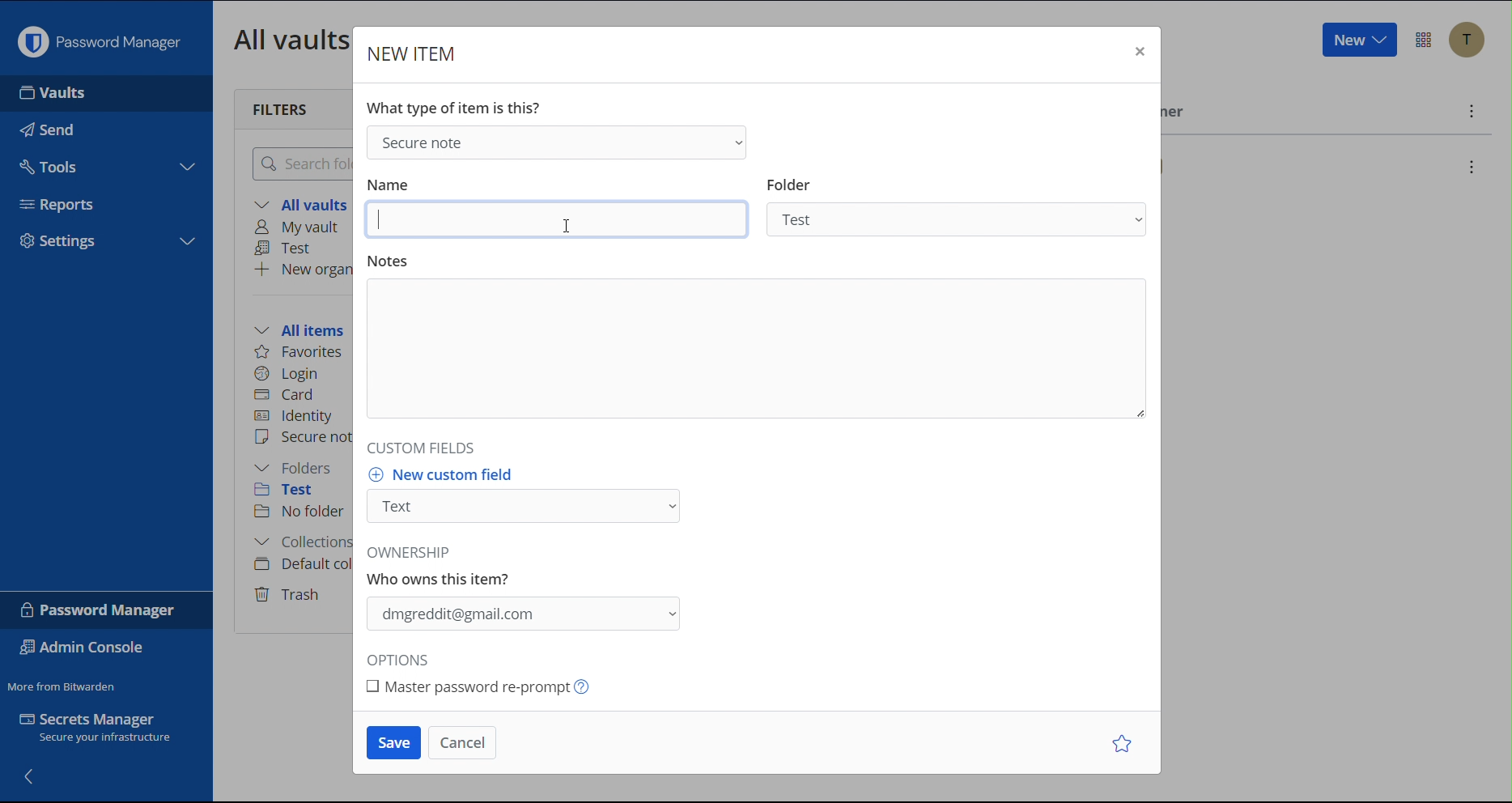 This screenshot has width=1512, height=803. I want to click on Cancel, so click(460, 741).